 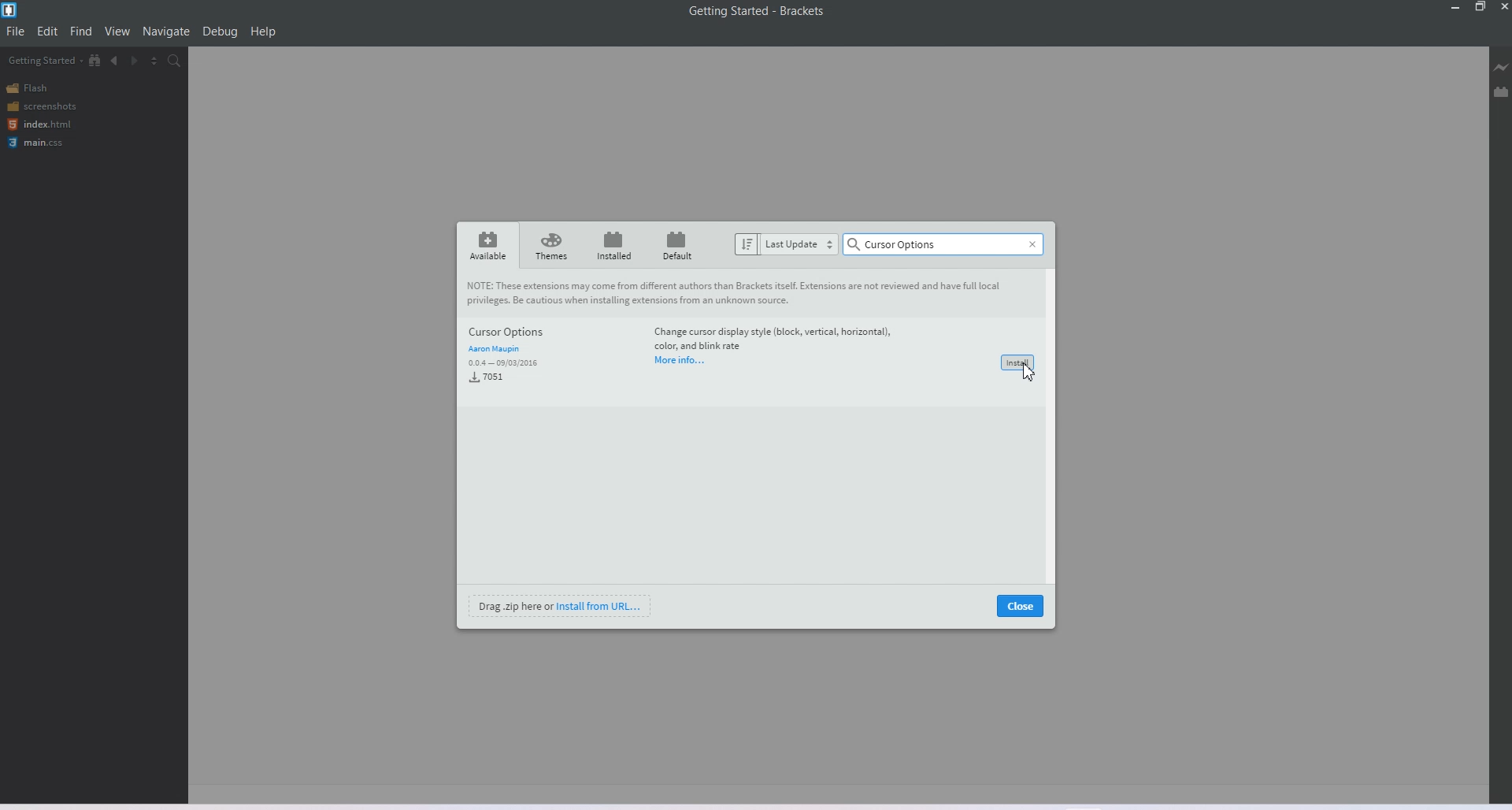 What do you see at coordinates (943, 244) in the screenshot?
I see `cursor options` at bounding box center [943, 244].